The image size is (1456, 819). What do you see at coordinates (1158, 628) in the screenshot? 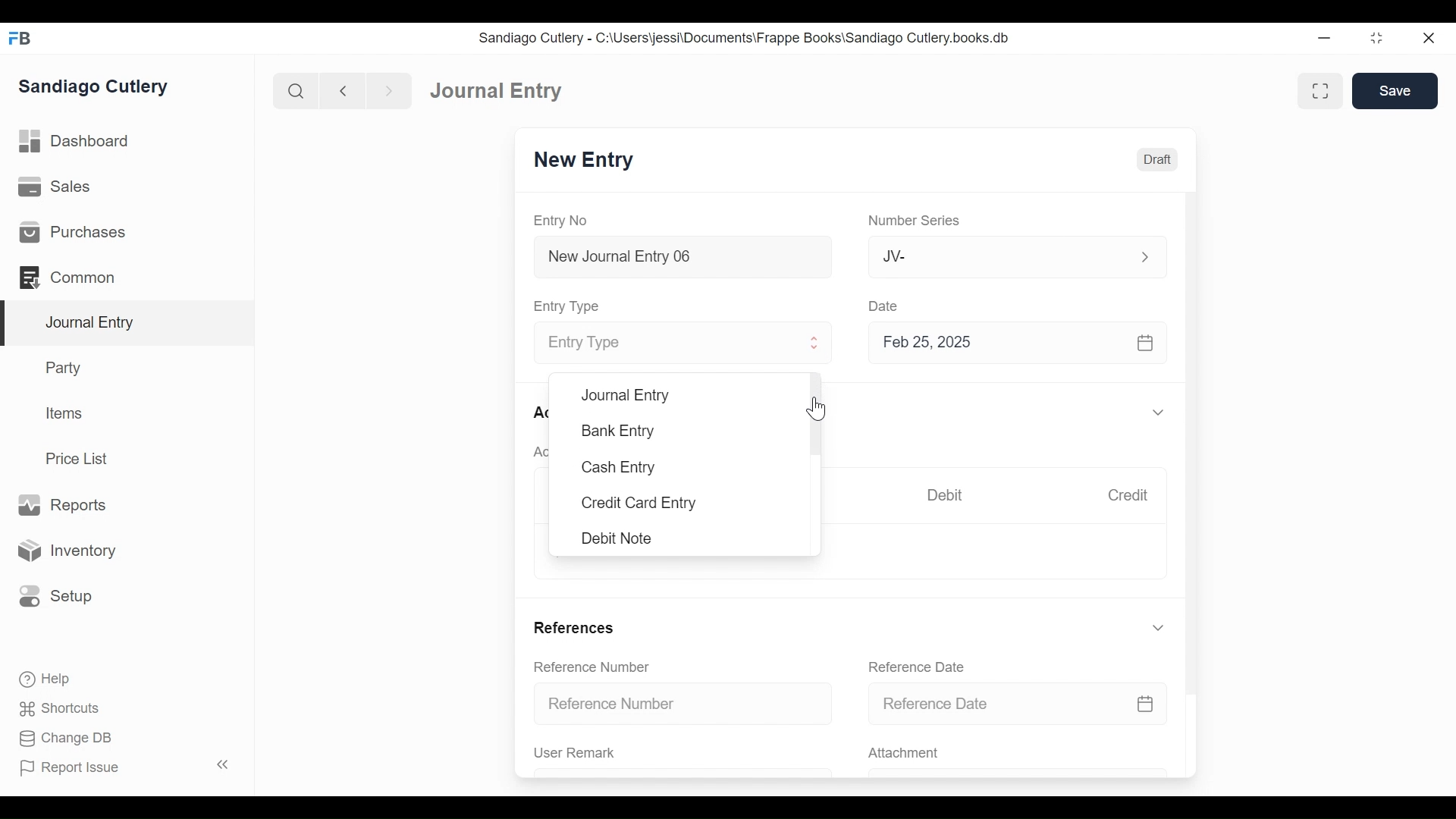
I see `Expand` at bounding box center [1158, 628].